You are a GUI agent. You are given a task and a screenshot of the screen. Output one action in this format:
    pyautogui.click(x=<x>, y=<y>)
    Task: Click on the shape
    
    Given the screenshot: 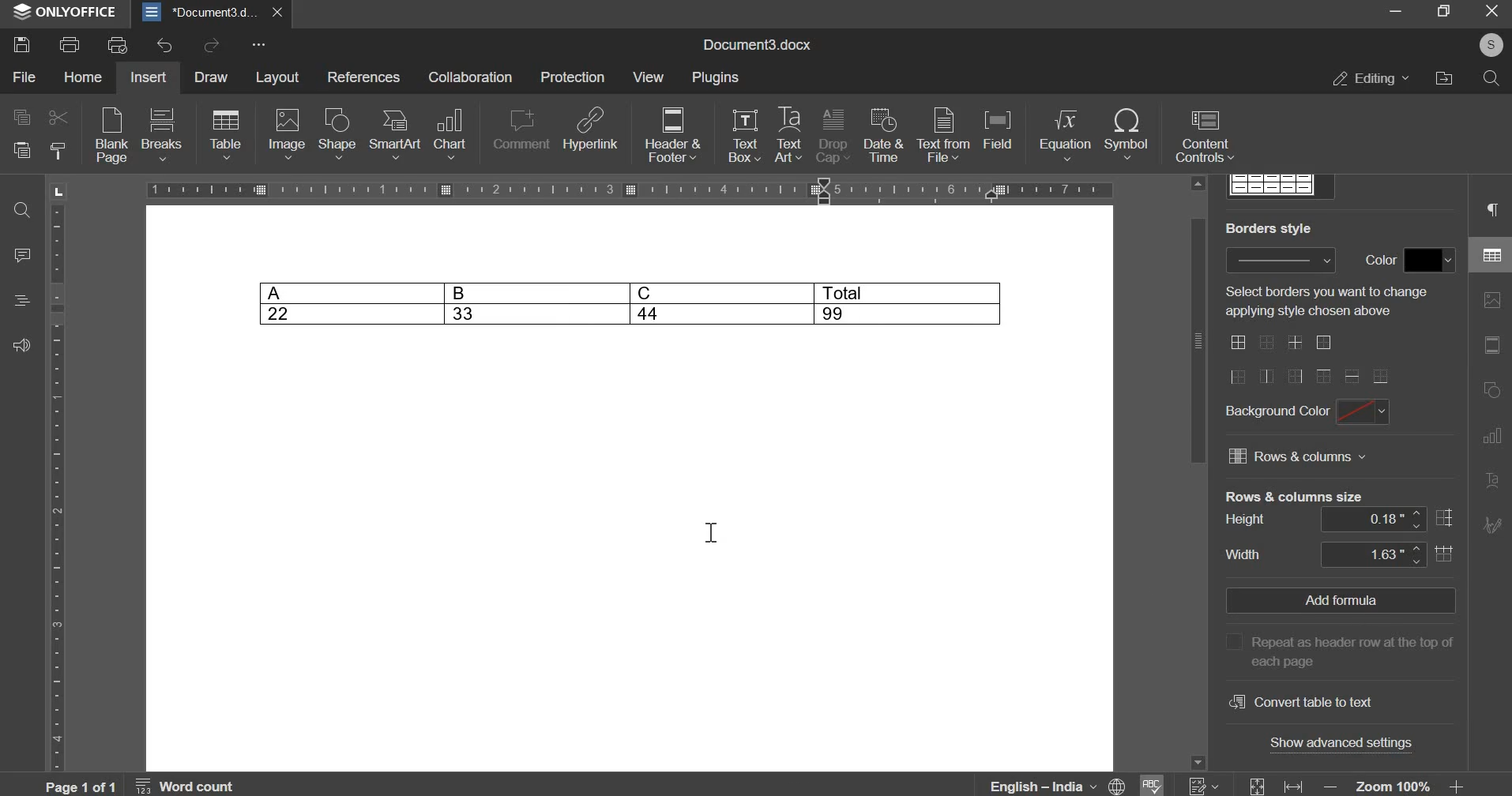 What is the action you would take?
    pyautogui.click(x=337, y=133)
    